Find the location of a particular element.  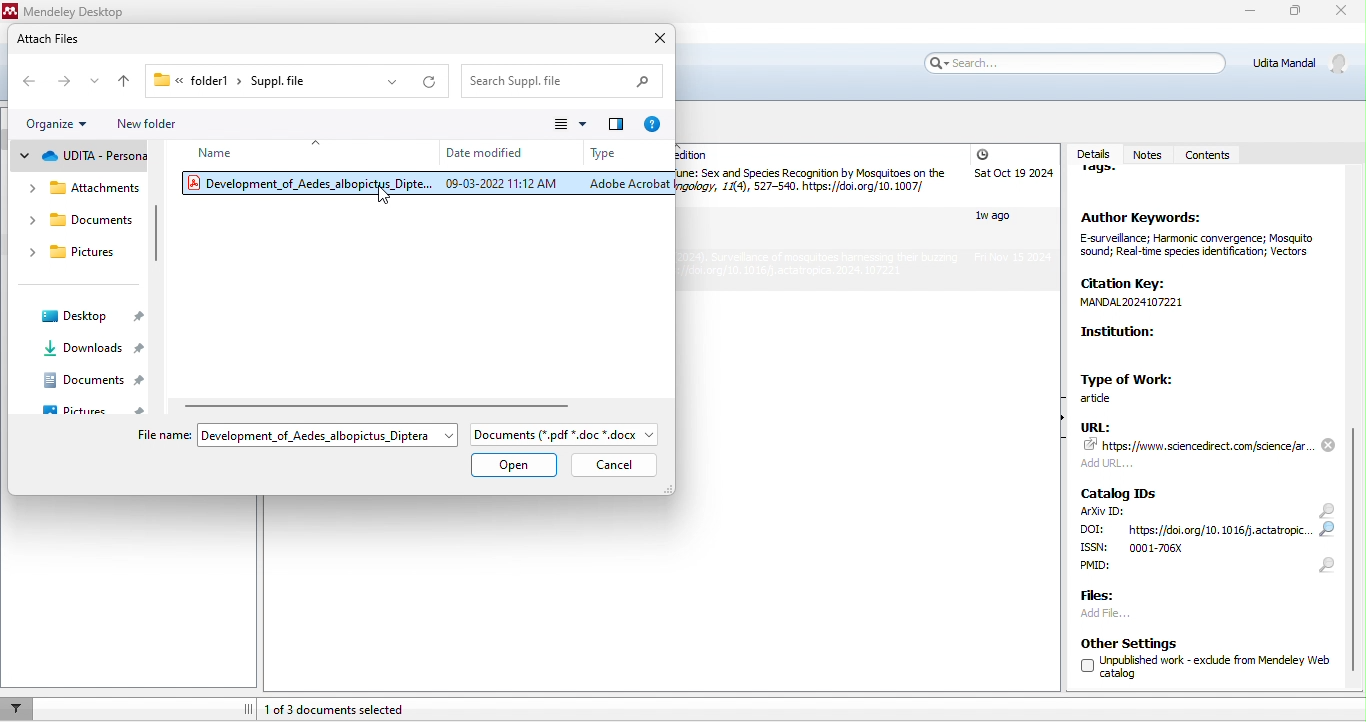

cancel is located at coordinates (613, 465).